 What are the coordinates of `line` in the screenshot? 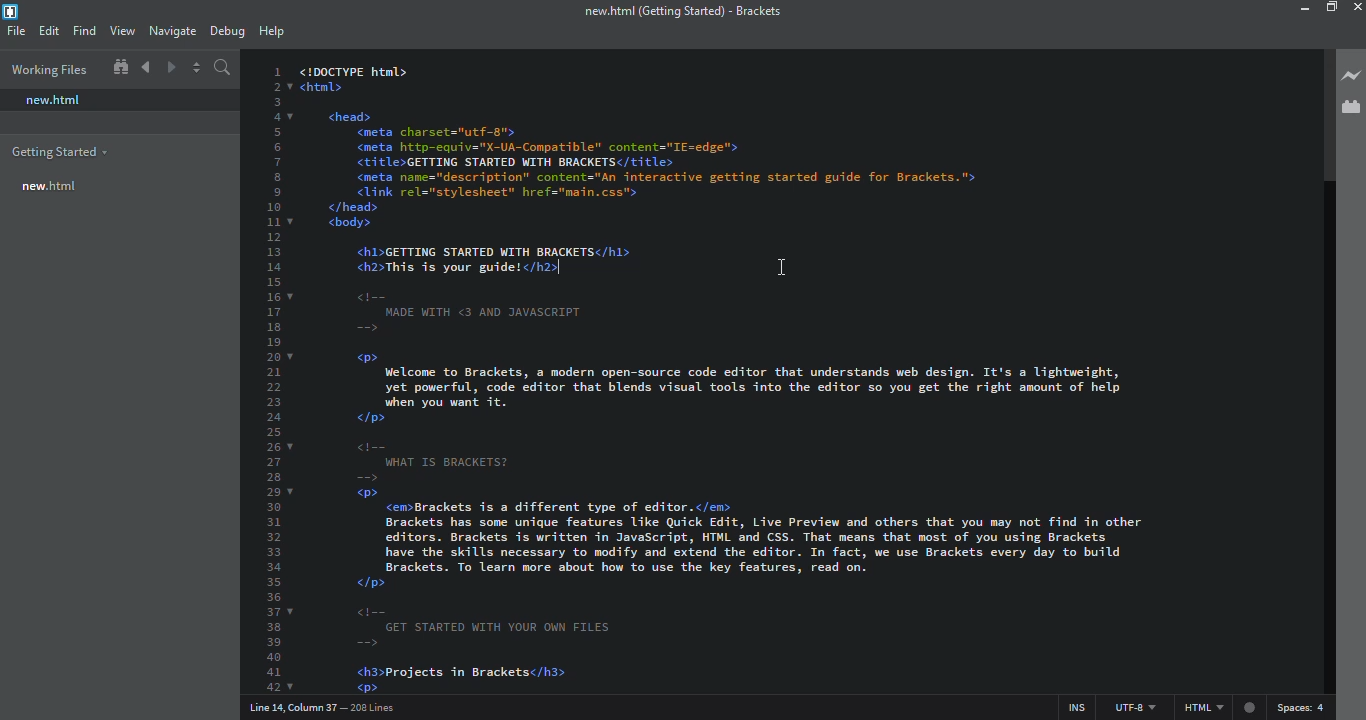 It's located at (320, 707).